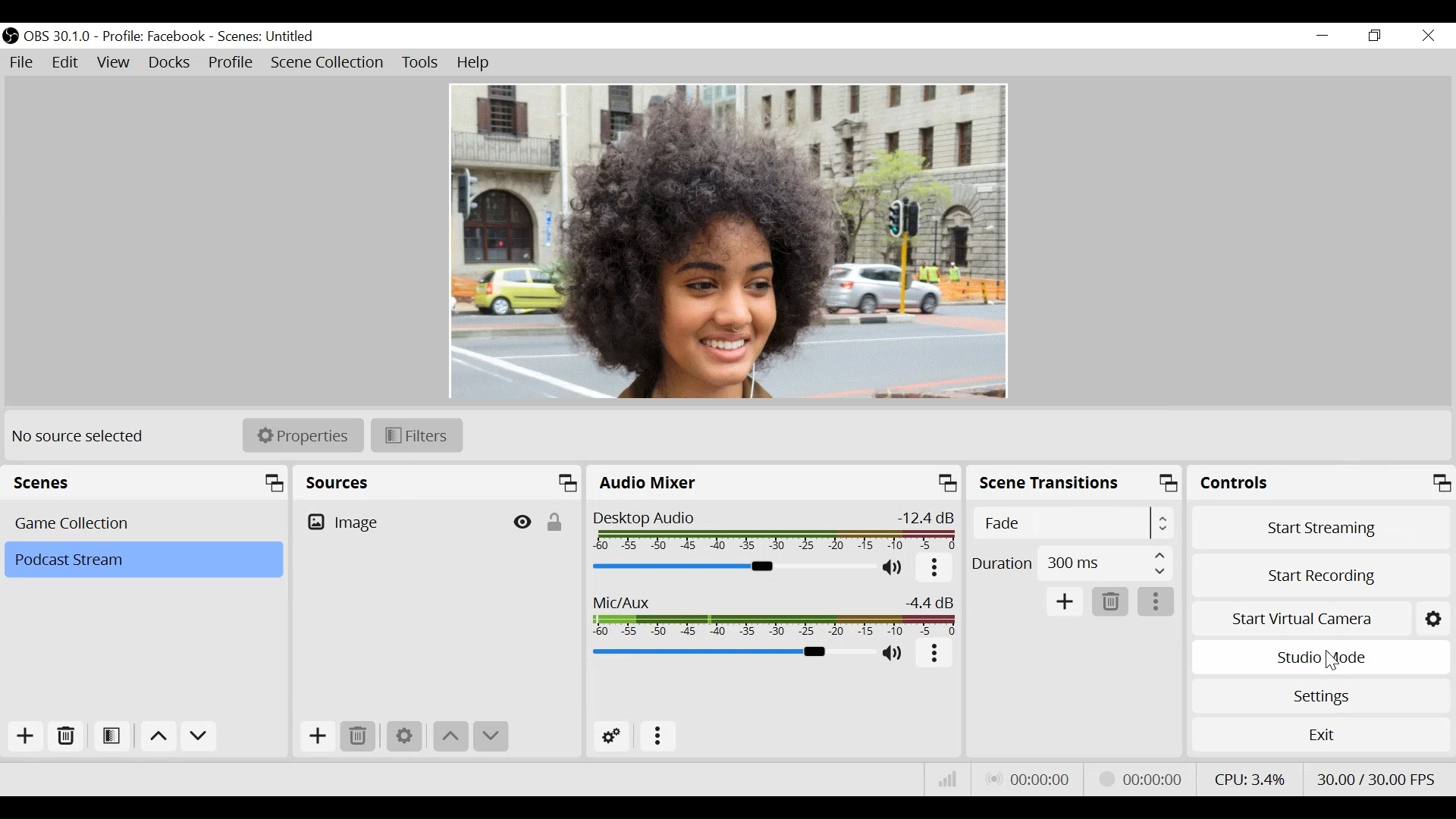  Describe the element at coordinates (1252, 776) in the screenshot. I see `CPU Usage` at that location.